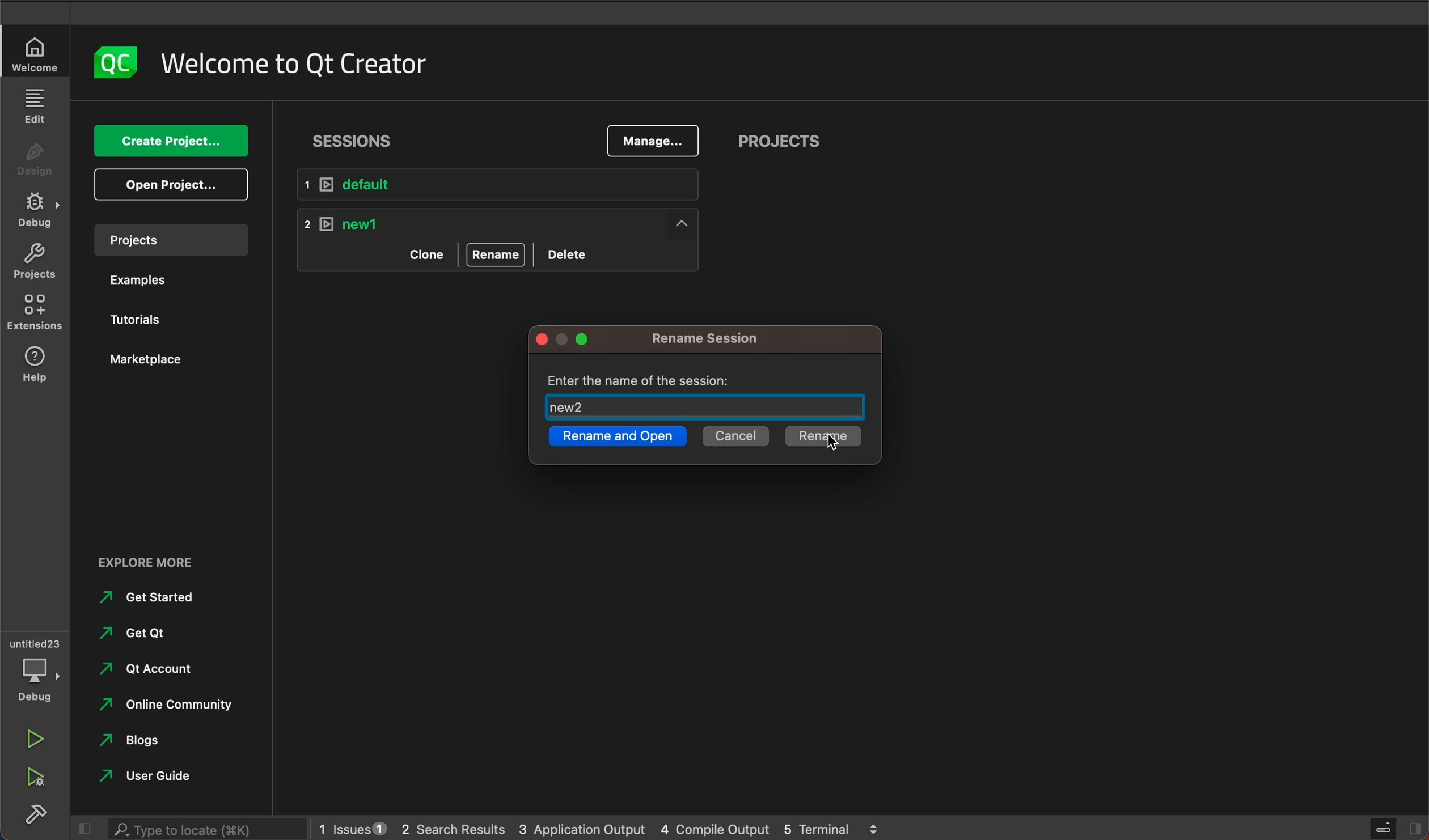 Image resolution: width=1429 pixels, height=840 pixels. What do you see at coordinates (709, 394) in the screenshot?
I see `enter name ` at bounding box center [709, 394].